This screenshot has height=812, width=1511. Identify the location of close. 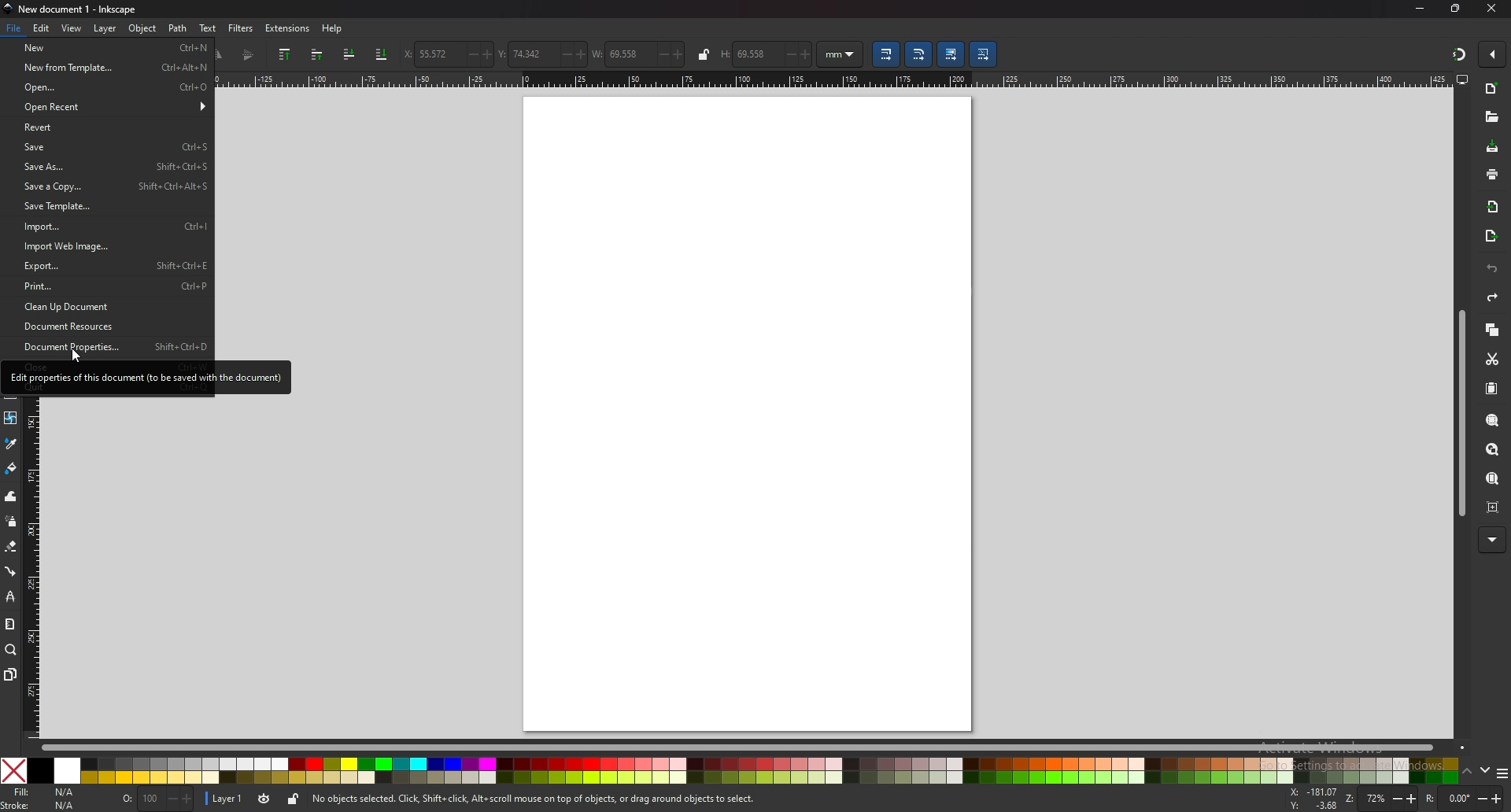
(1491, 9).